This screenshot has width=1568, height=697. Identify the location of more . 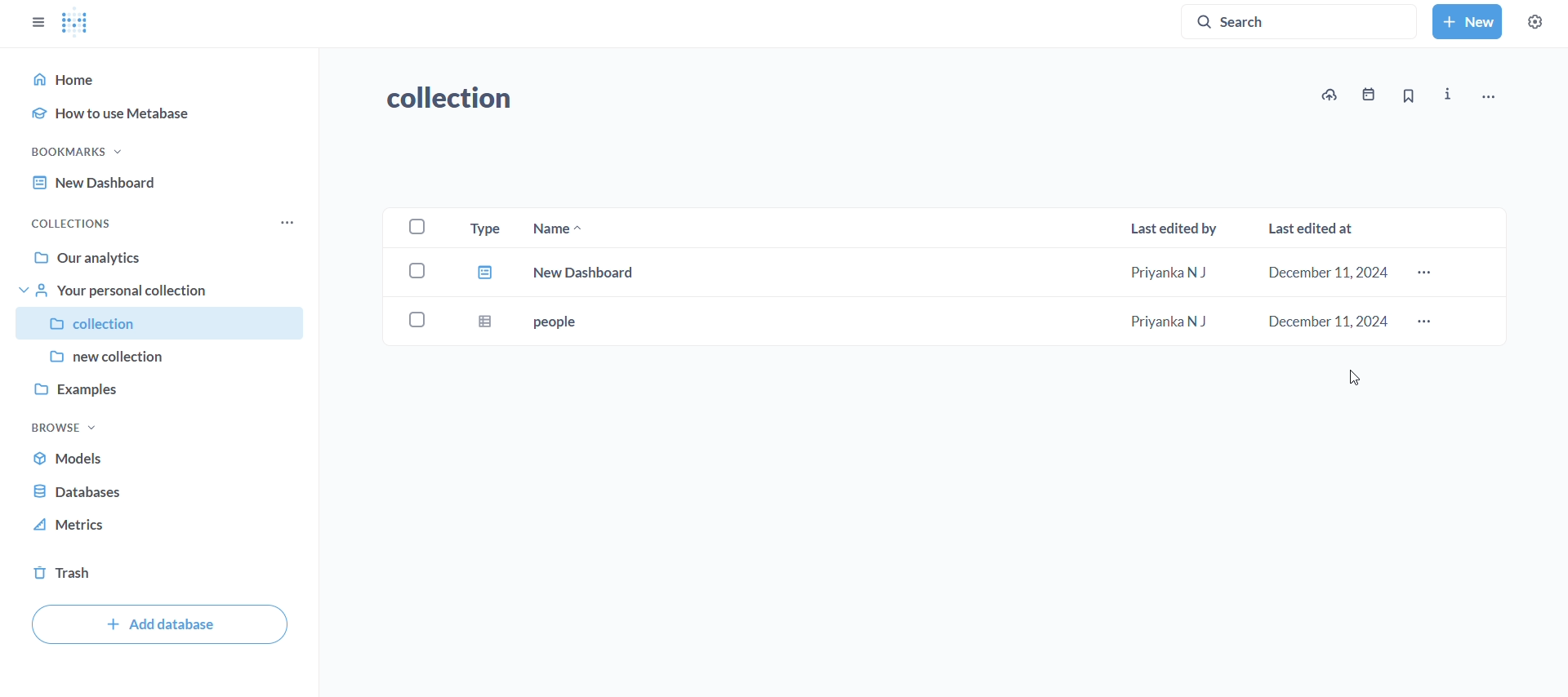
(1428, 323).